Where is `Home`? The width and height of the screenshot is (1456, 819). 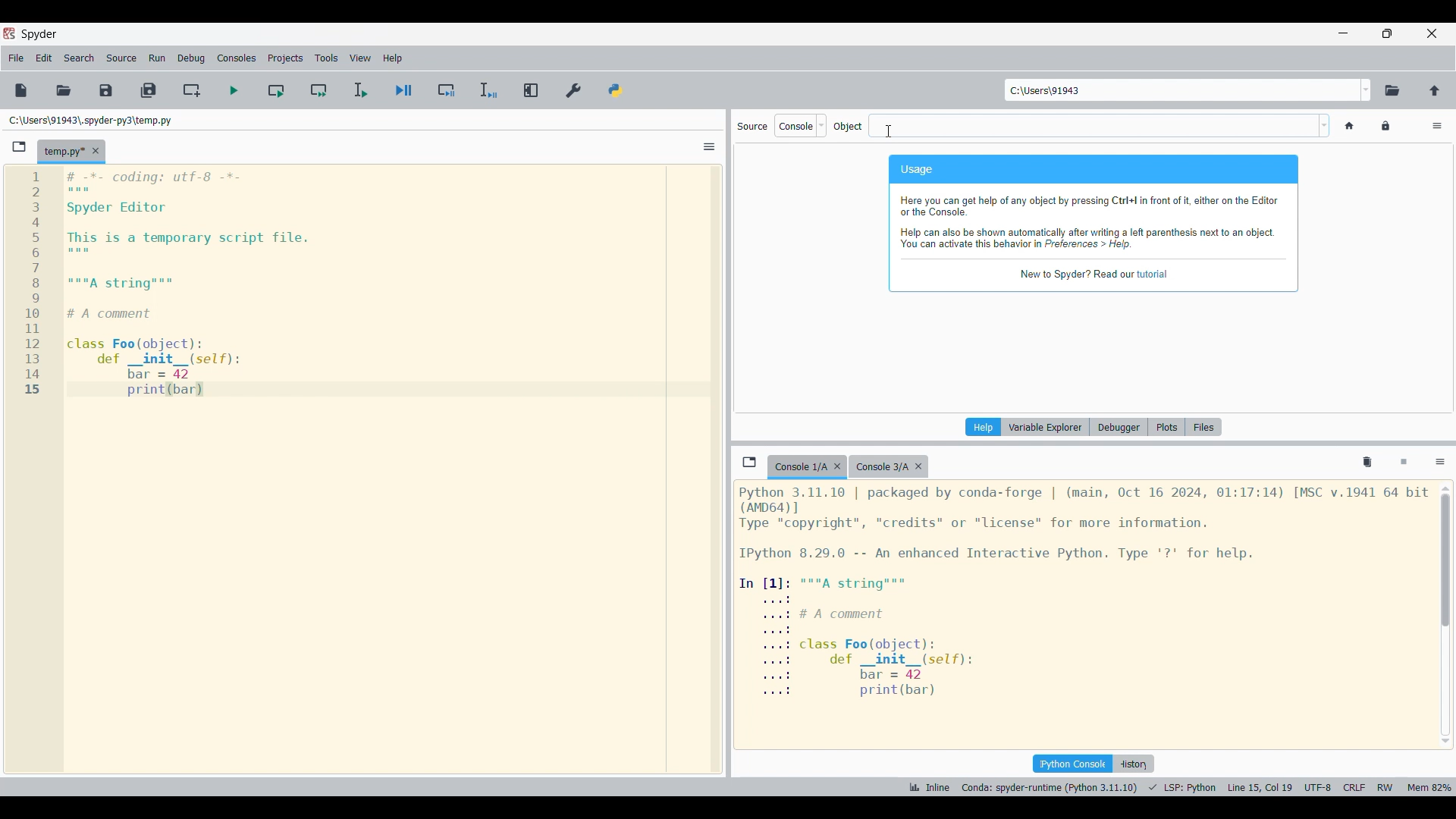
Home is located at coordinates (1351, 126).